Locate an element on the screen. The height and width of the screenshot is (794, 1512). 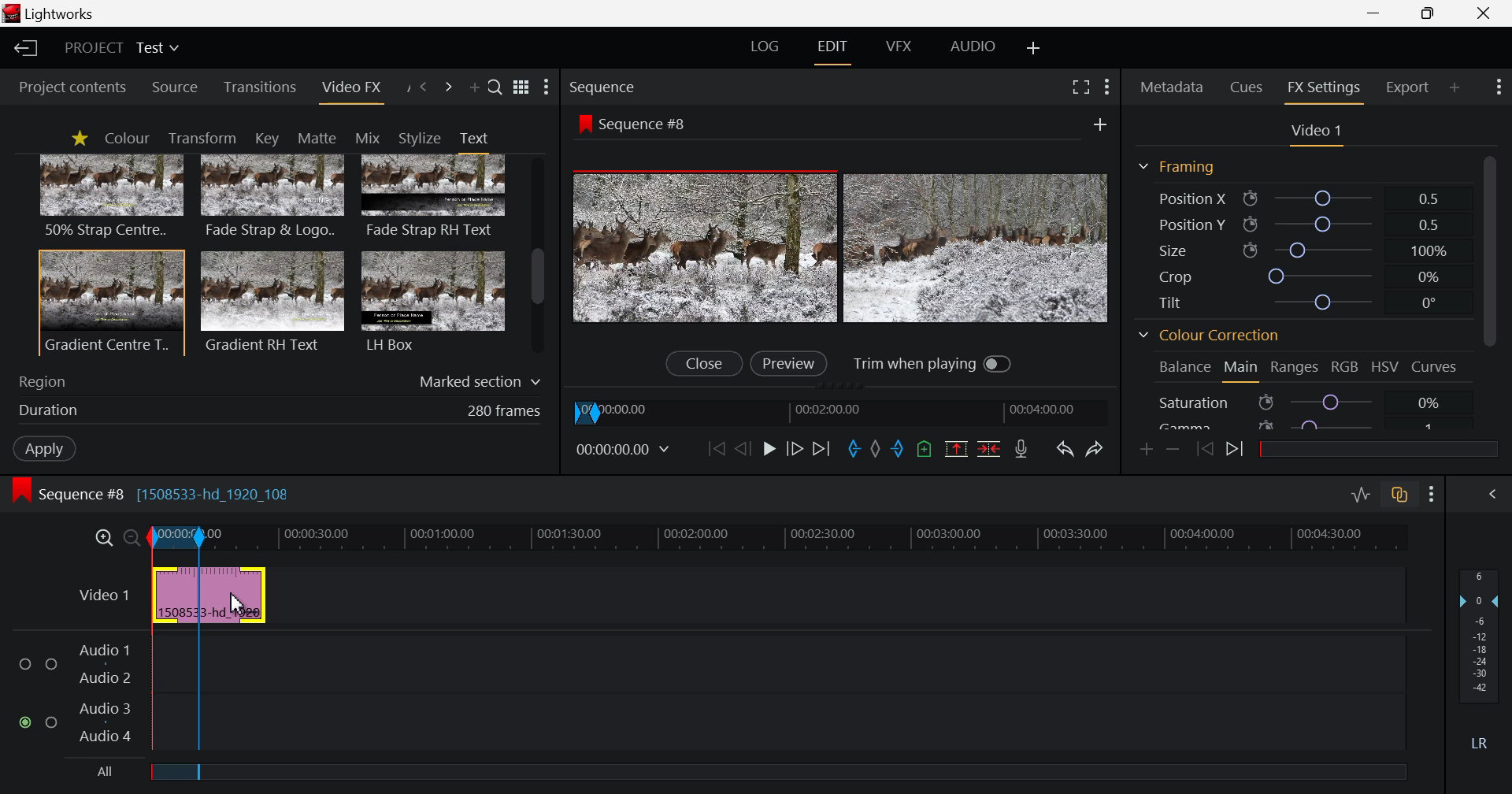
All field is located at coordinates (791, 770).